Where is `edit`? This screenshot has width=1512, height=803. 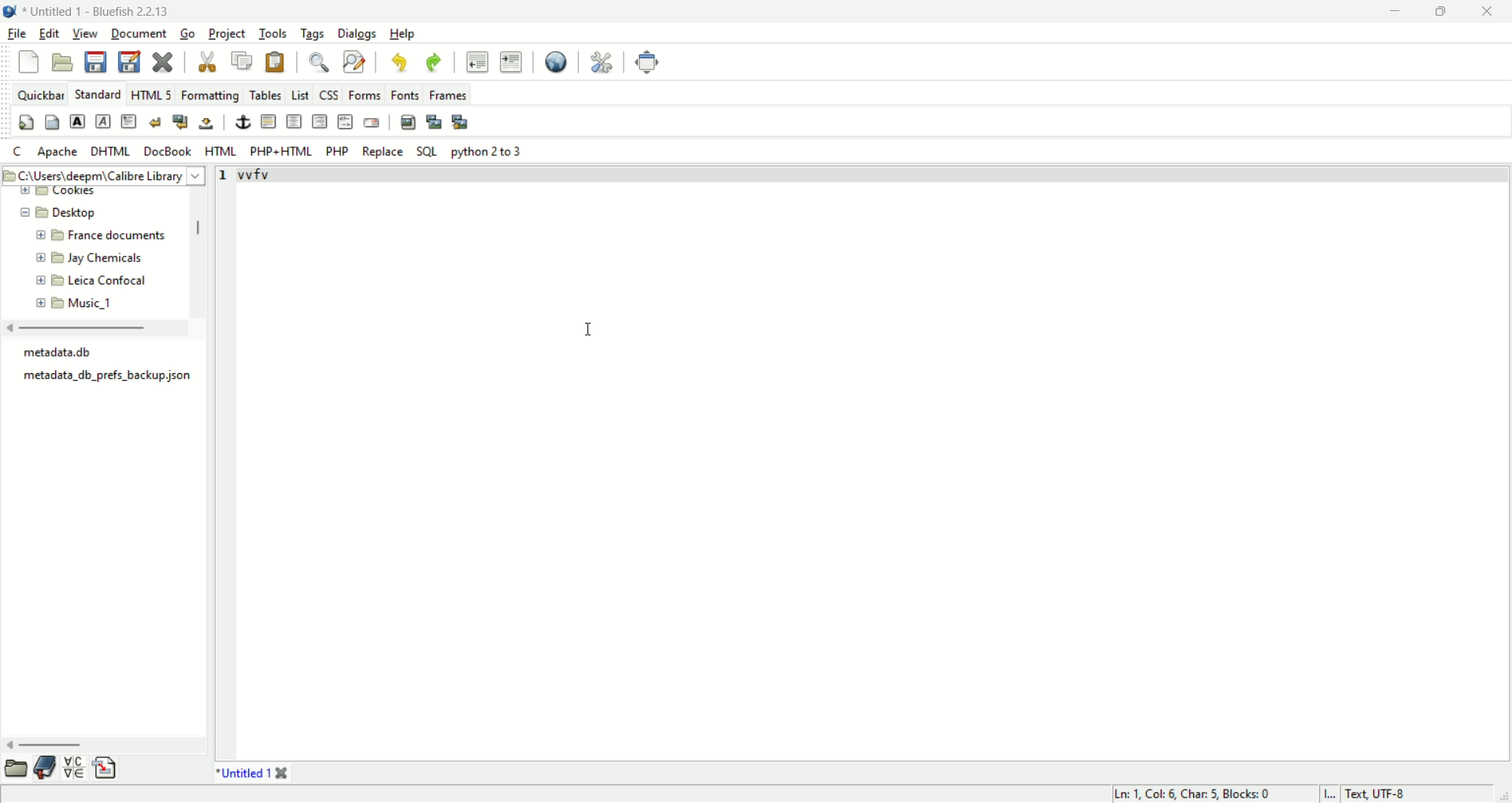
edit is located at coordinates (50, 34).